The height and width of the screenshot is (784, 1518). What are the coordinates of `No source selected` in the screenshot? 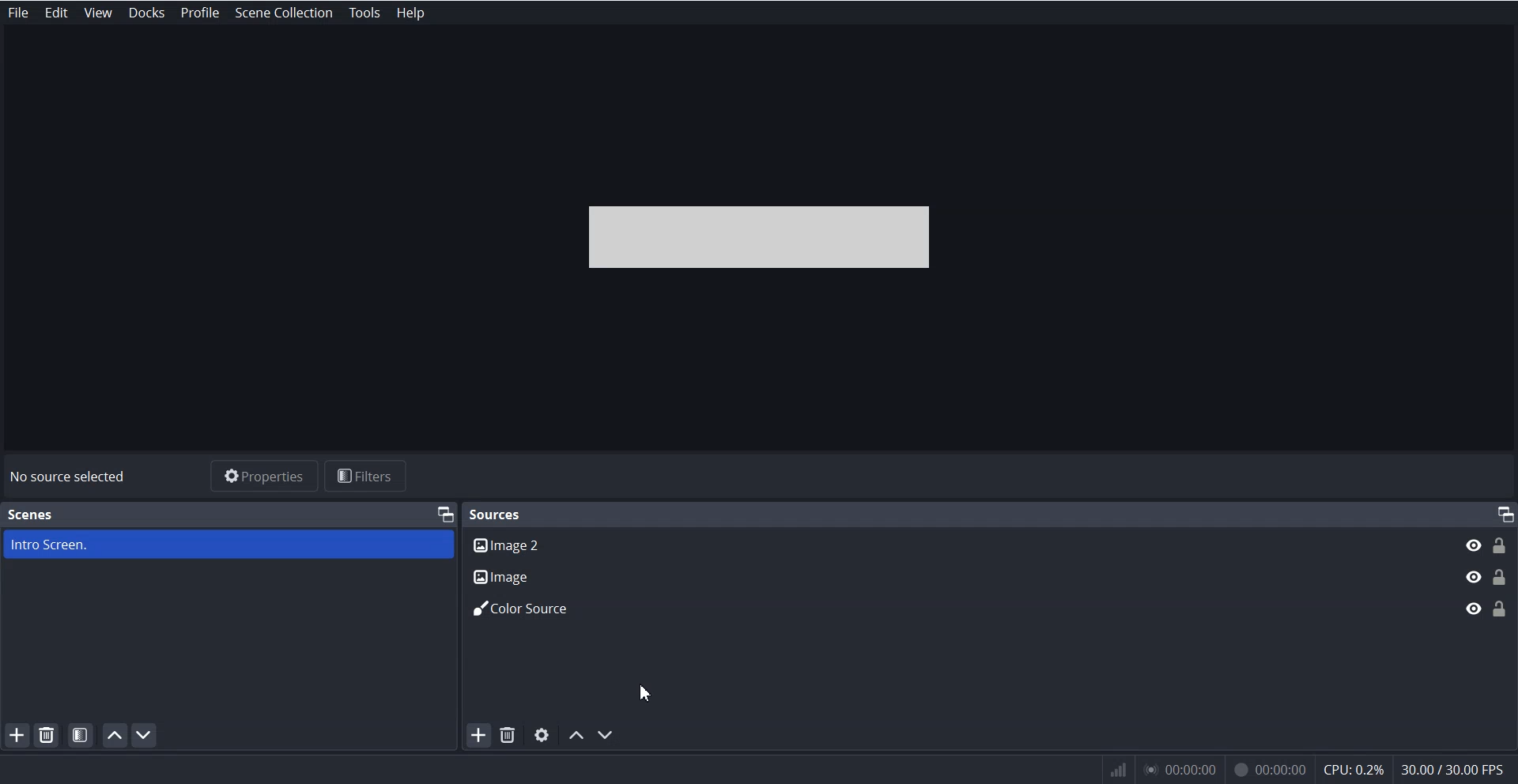 It's located at (69, 477).